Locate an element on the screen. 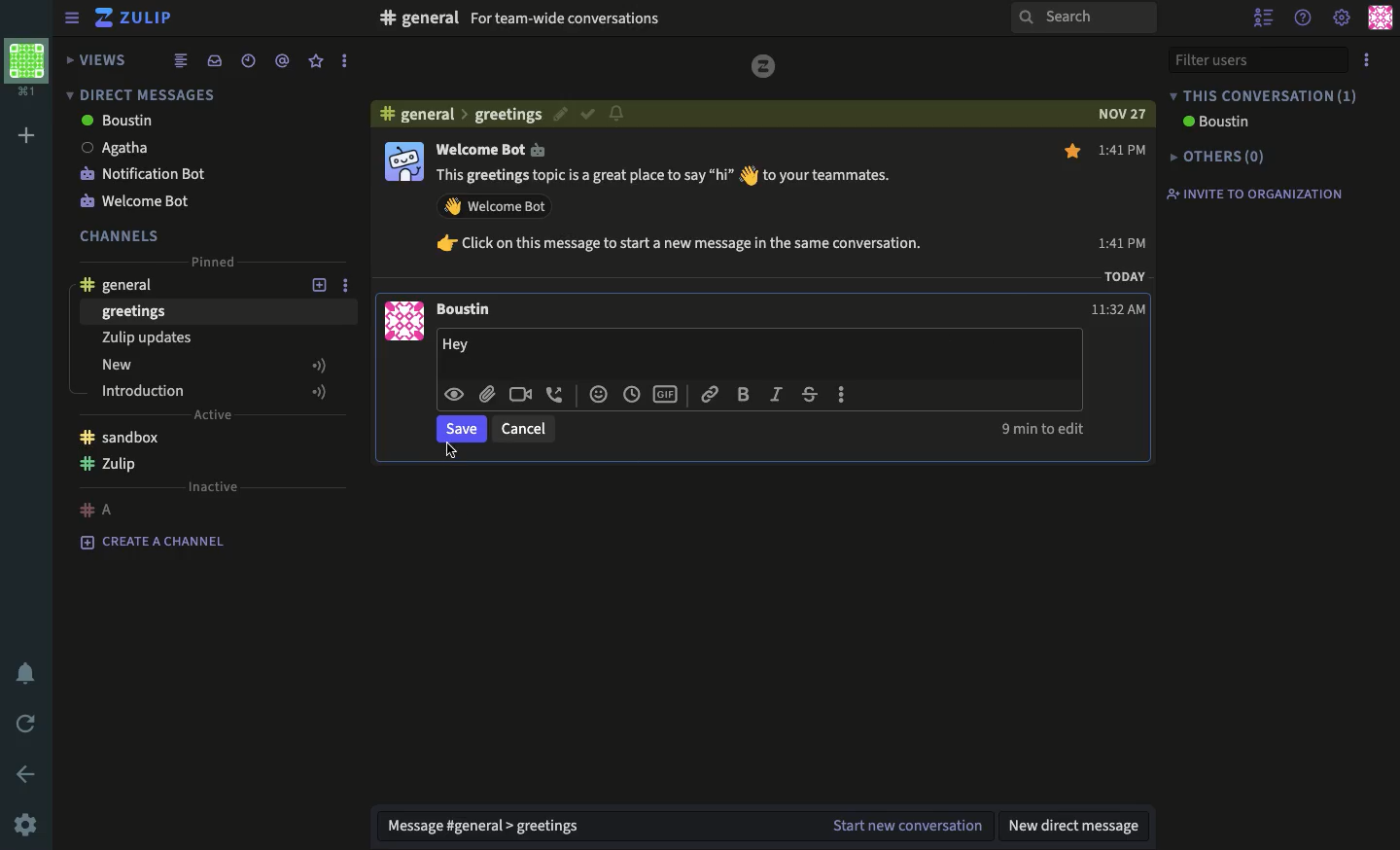 This screenshot has height=850, width=1400. sidebar is located at coordinates (68, 18).